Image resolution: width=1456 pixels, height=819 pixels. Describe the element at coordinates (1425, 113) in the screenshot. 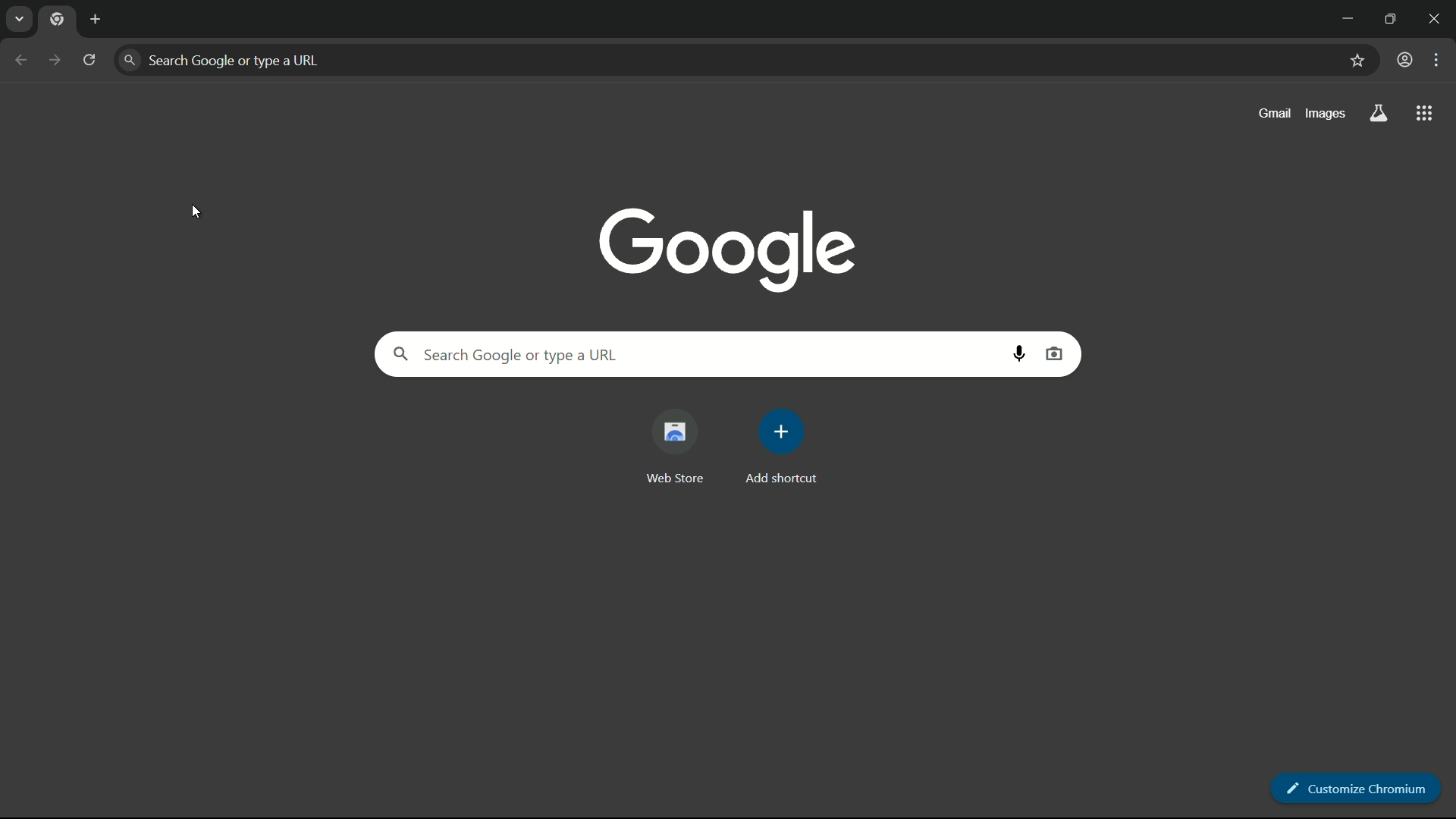

I see `google apps` at that location.